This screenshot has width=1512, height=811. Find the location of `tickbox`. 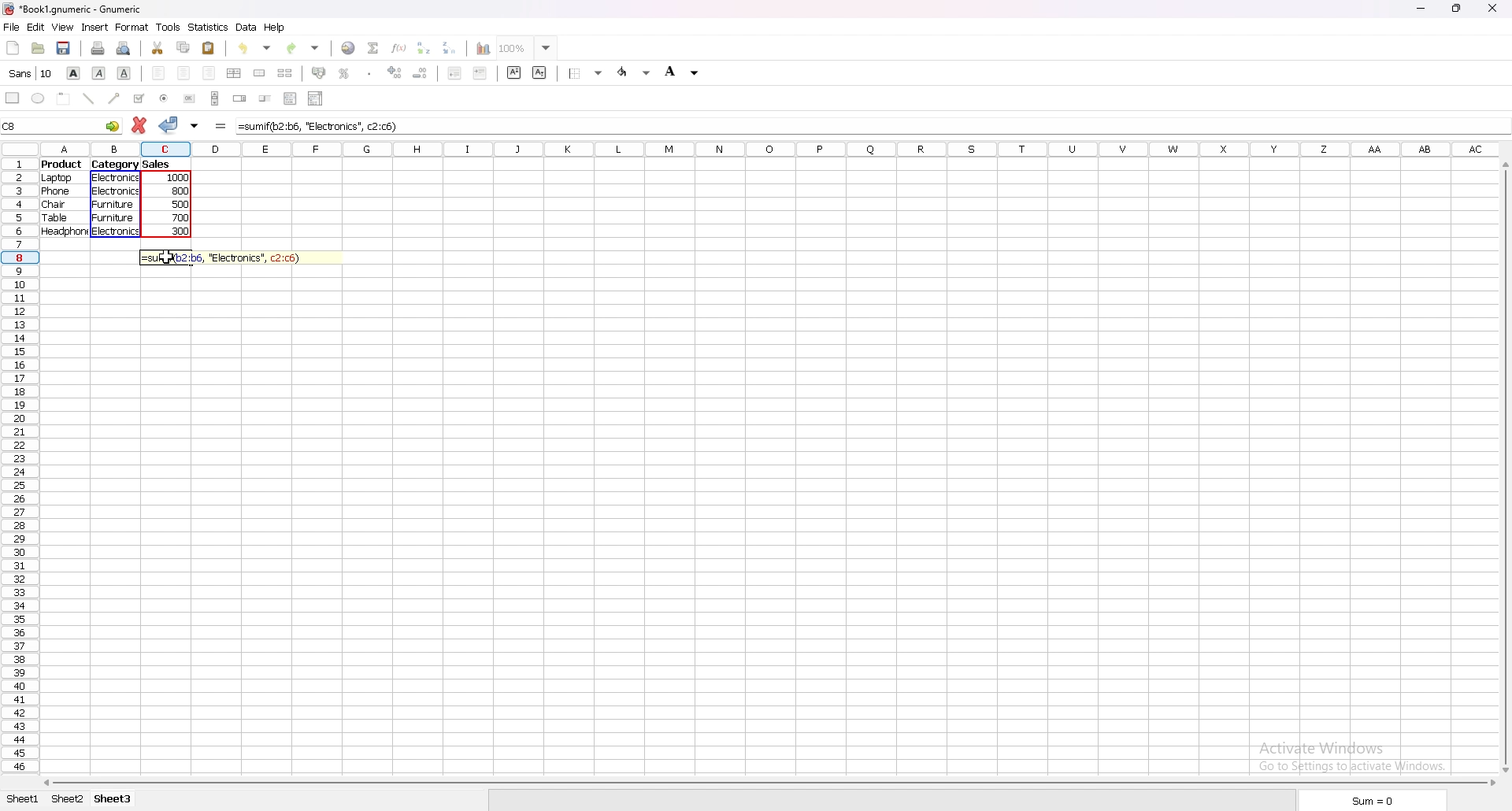

tickbox is located at coordinates (139, 98).